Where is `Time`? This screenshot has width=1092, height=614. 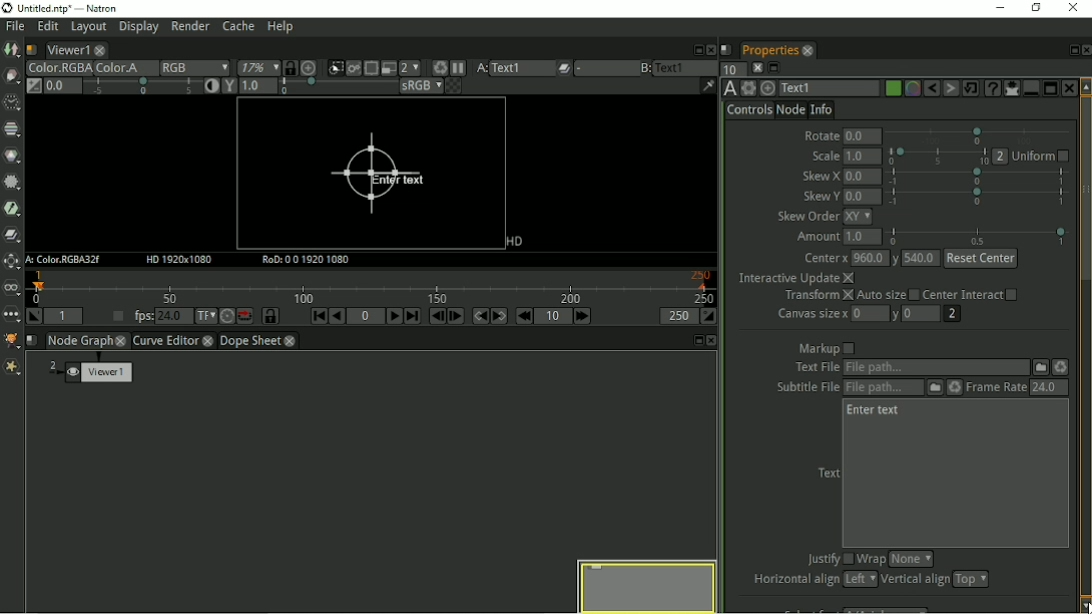
Time is located at coordinates (11, 103).